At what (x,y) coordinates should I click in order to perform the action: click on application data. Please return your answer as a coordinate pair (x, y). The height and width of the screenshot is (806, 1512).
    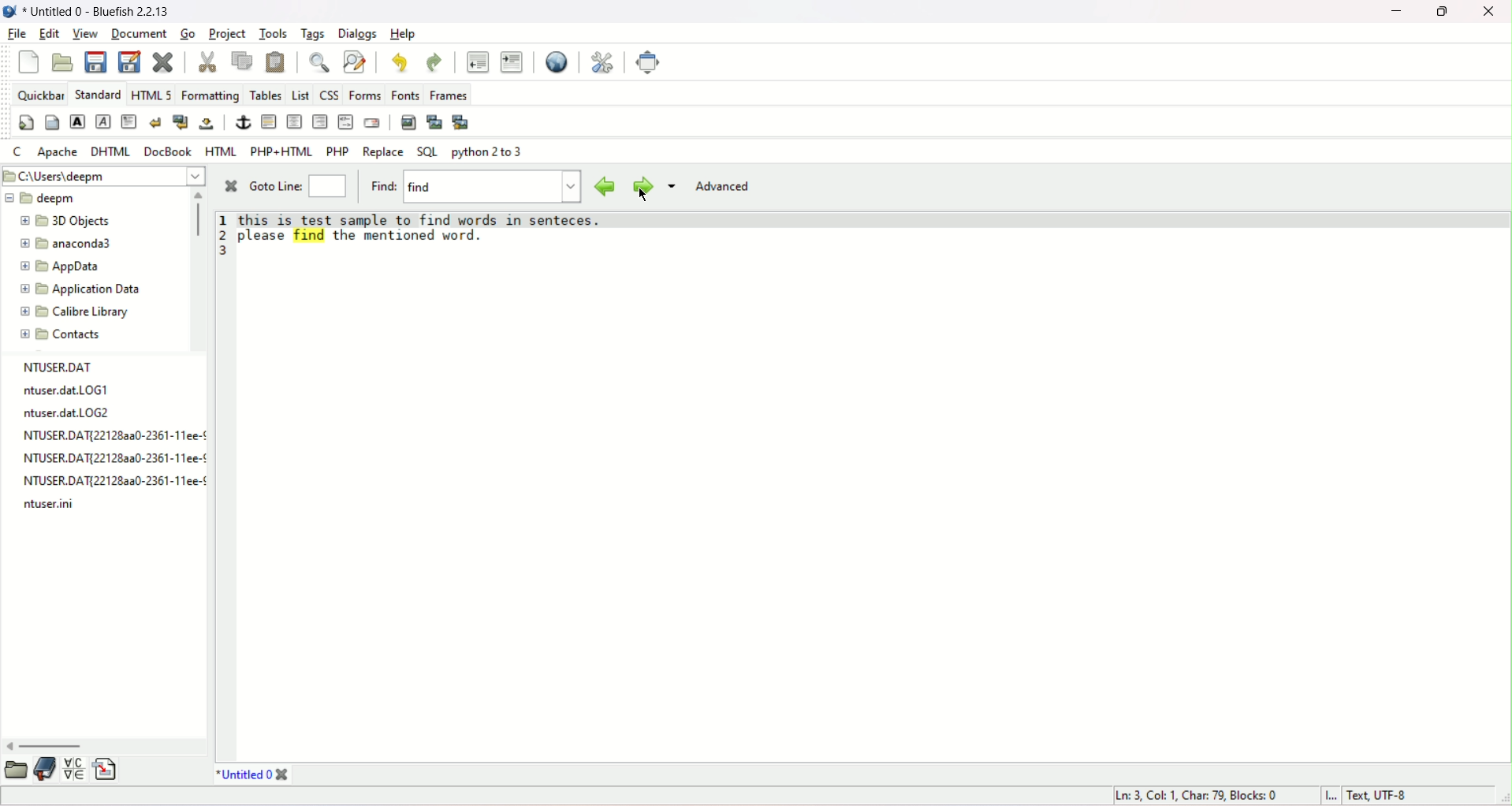
    Looking at the image, I should click on (82, 288).